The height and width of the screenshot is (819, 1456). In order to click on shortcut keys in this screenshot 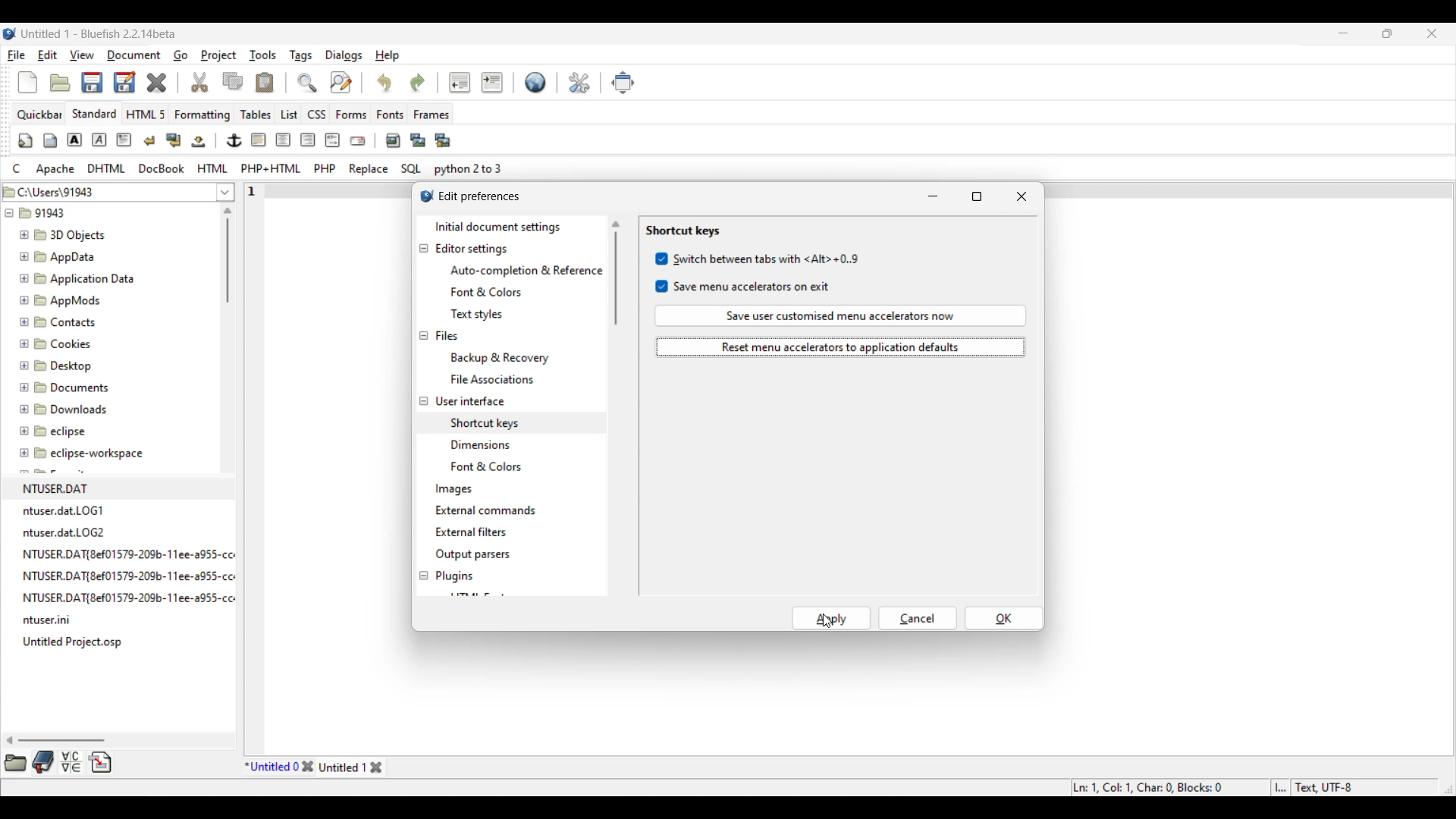, I will do `click(484, 421)`.